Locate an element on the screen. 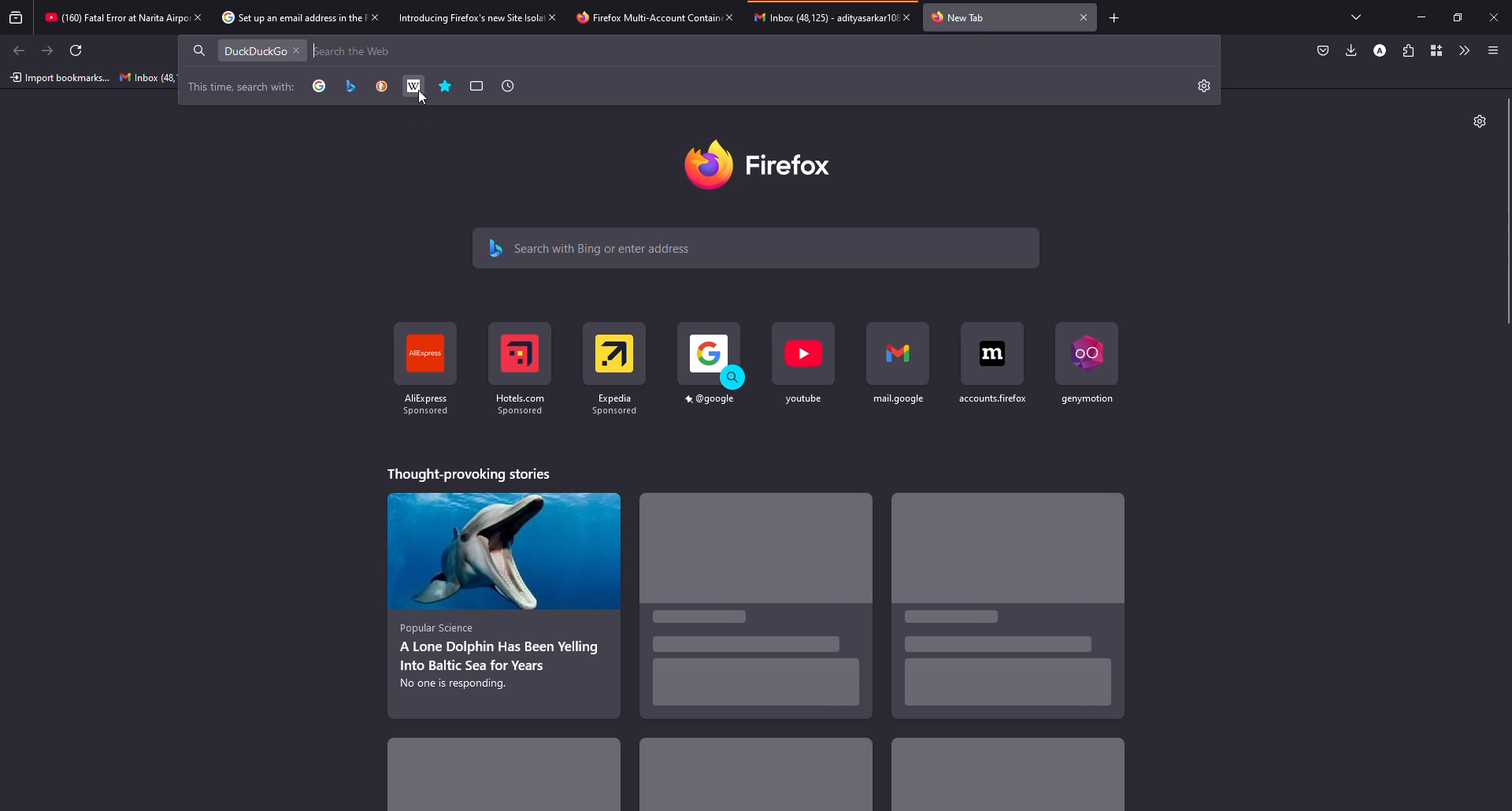 This screenshot has height=811, width=1512. google is located at coordinates (320, 87).